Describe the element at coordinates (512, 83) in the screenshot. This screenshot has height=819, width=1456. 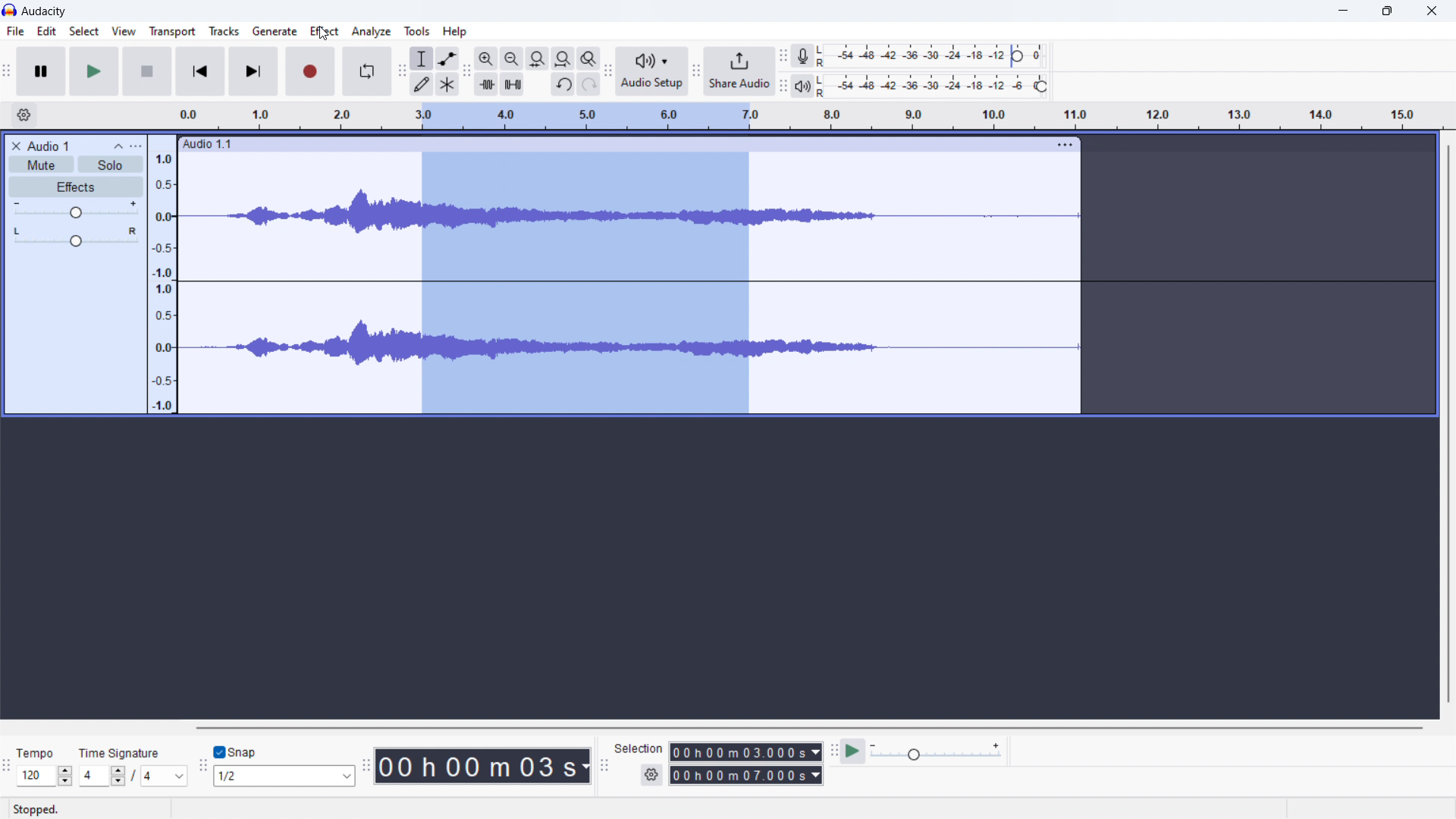
I see `mute selection` at that location.